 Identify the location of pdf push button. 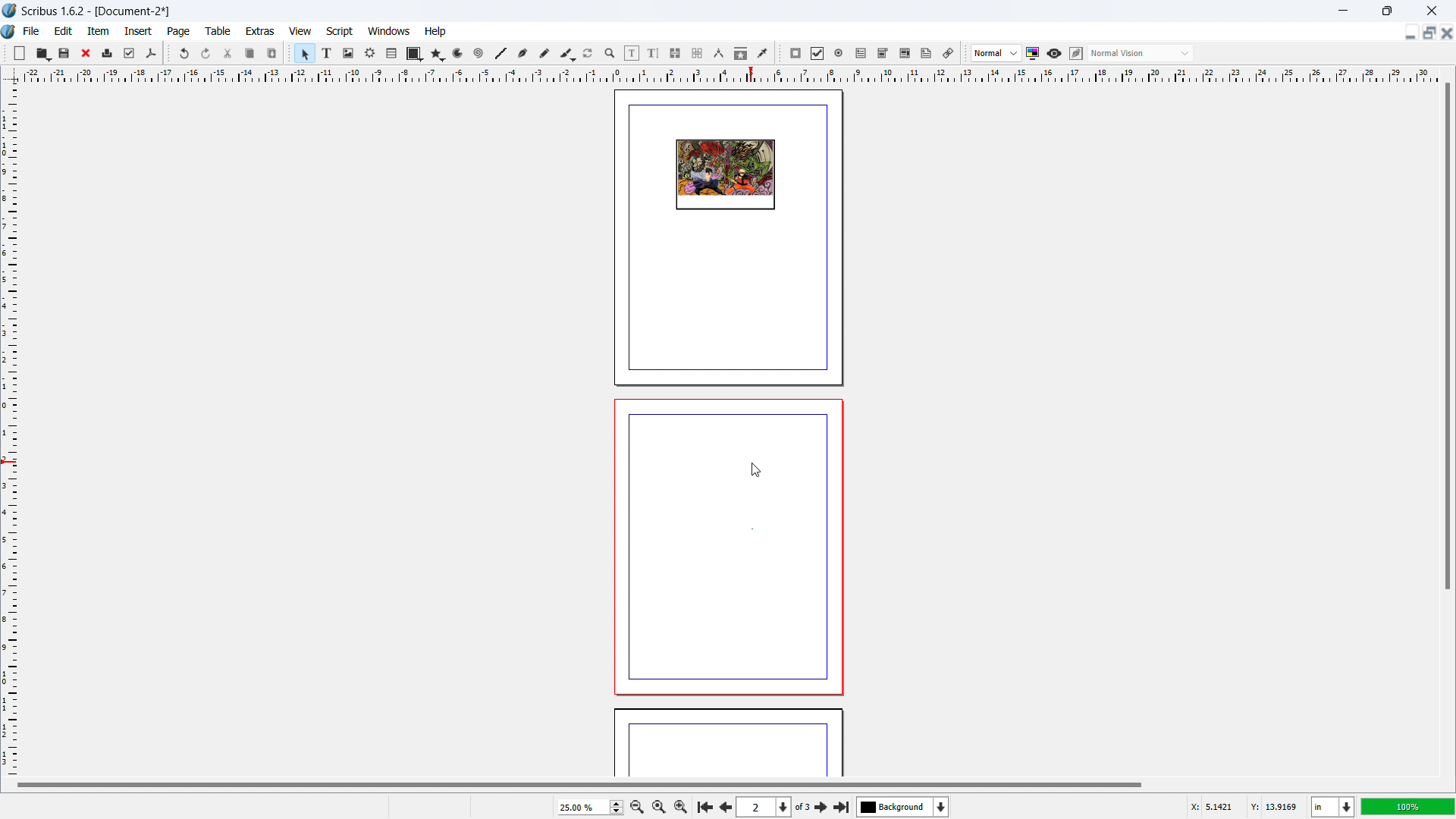
(795, 53).